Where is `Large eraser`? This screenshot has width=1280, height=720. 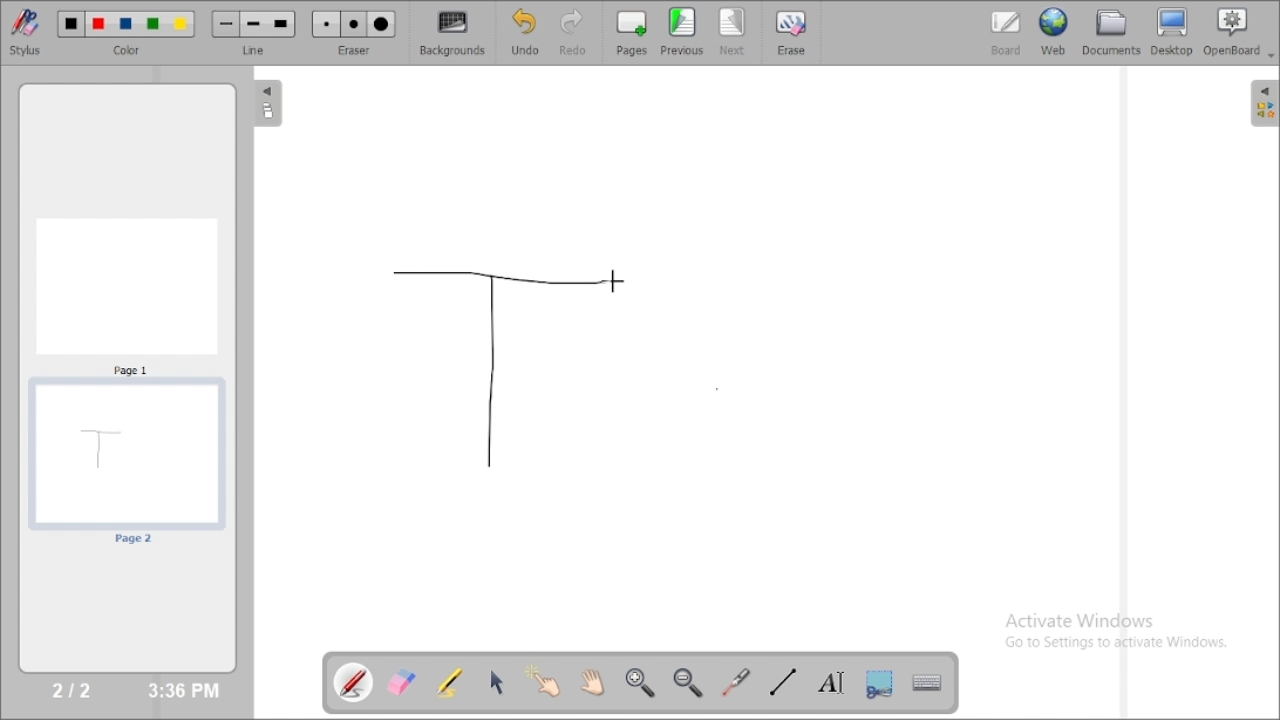 Large eraser is located at coordinates (382, 25).